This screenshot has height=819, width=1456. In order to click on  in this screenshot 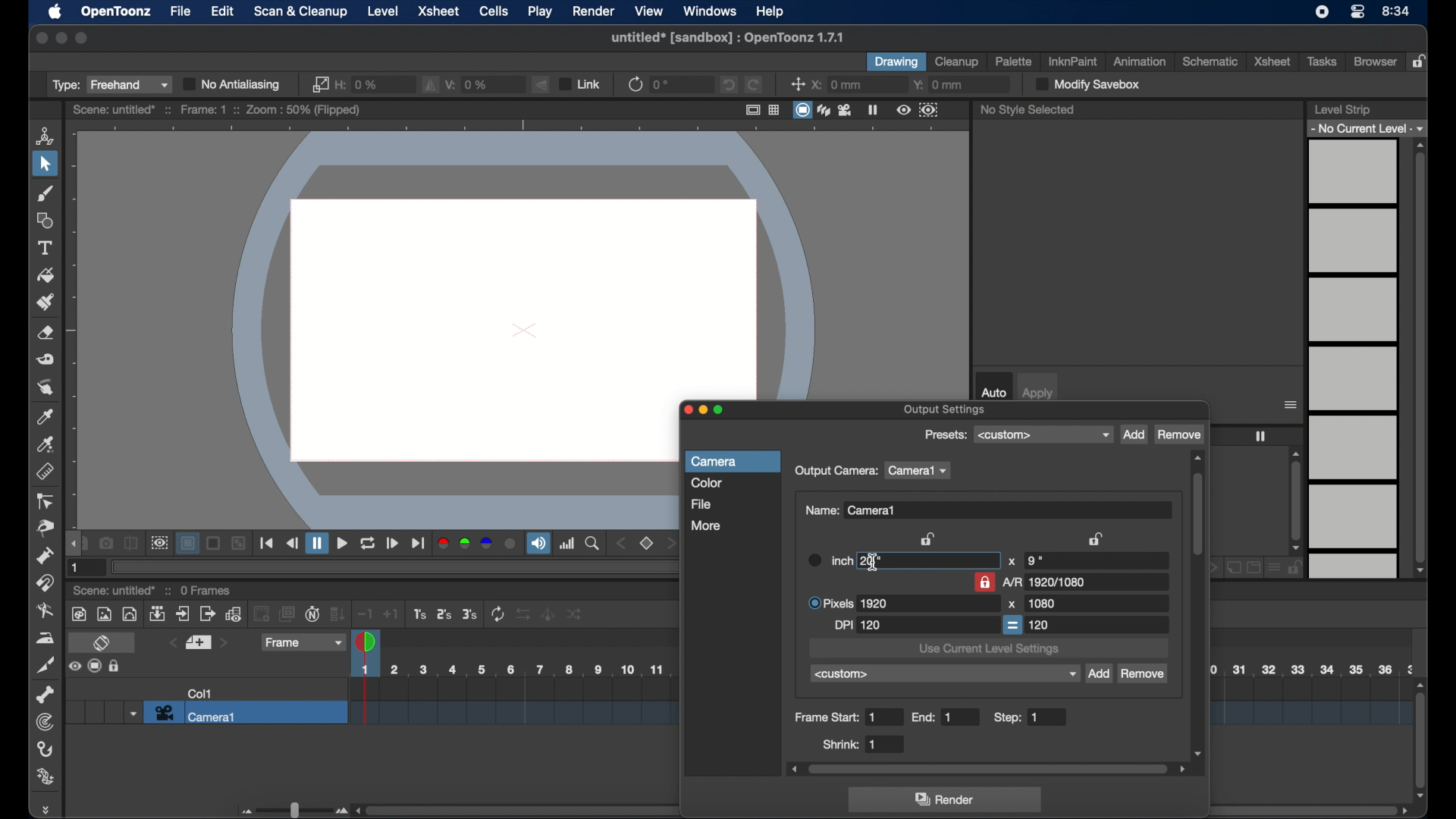, I will do `click(234, 613)`.